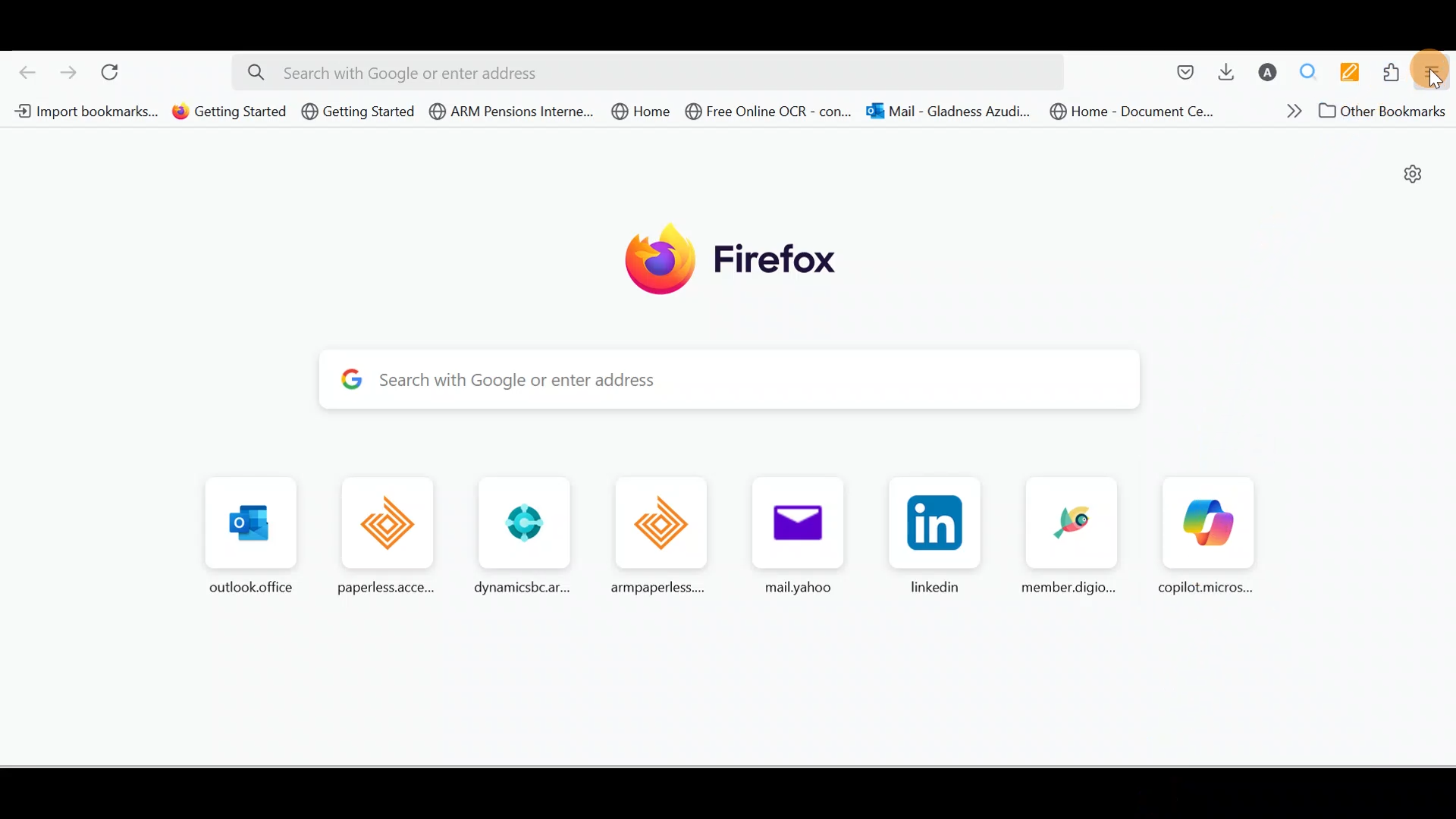  What do you see at coordinates (1413, 175) in the screenshot?
I see `Personalize new tab` at bounding box center [1413, 175].